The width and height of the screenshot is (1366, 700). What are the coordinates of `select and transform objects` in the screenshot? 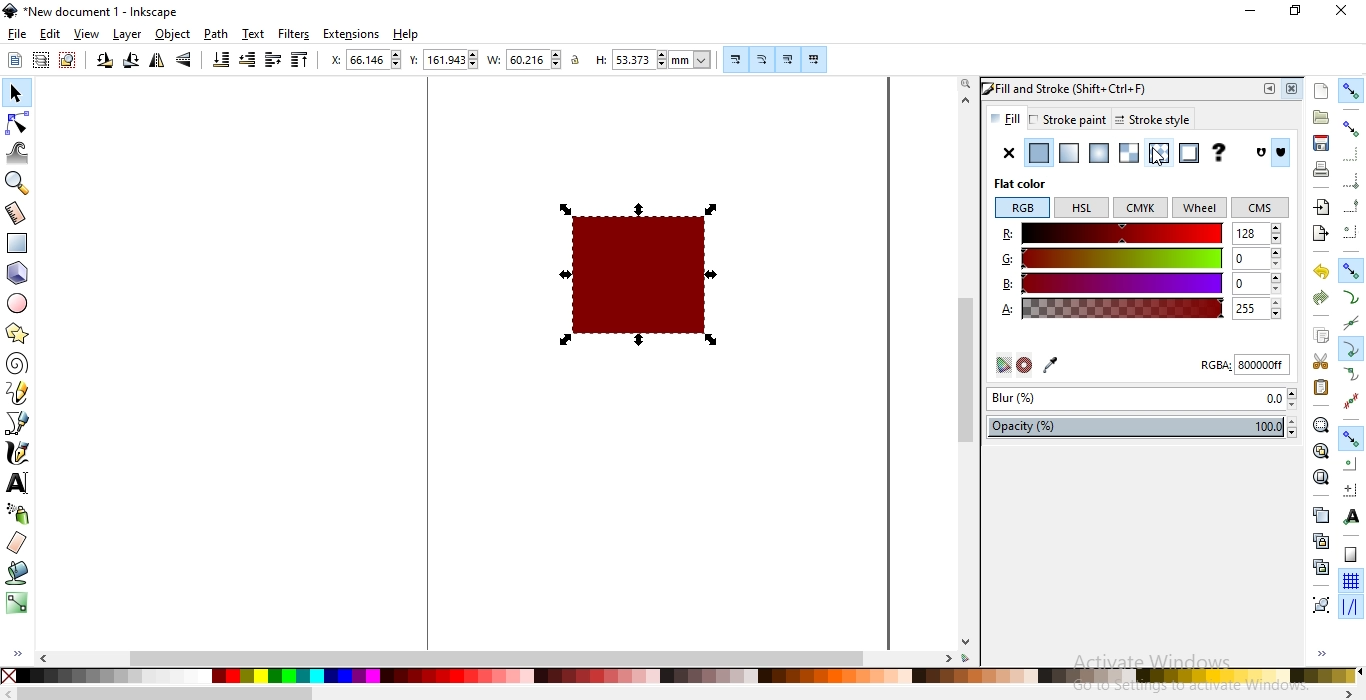 It's located at (16, 93).